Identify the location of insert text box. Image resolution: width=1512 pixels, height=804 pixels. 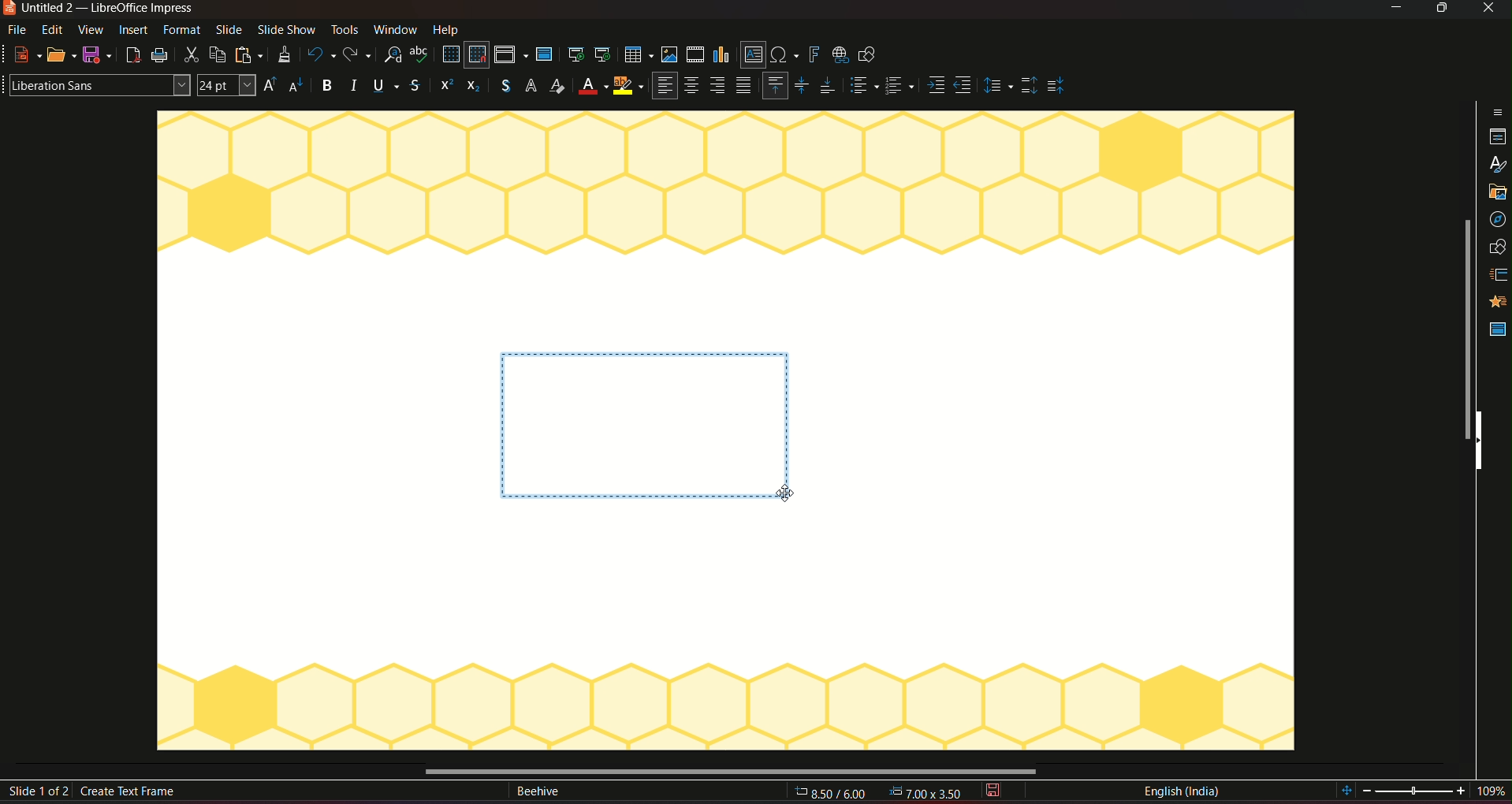
(752, 55).